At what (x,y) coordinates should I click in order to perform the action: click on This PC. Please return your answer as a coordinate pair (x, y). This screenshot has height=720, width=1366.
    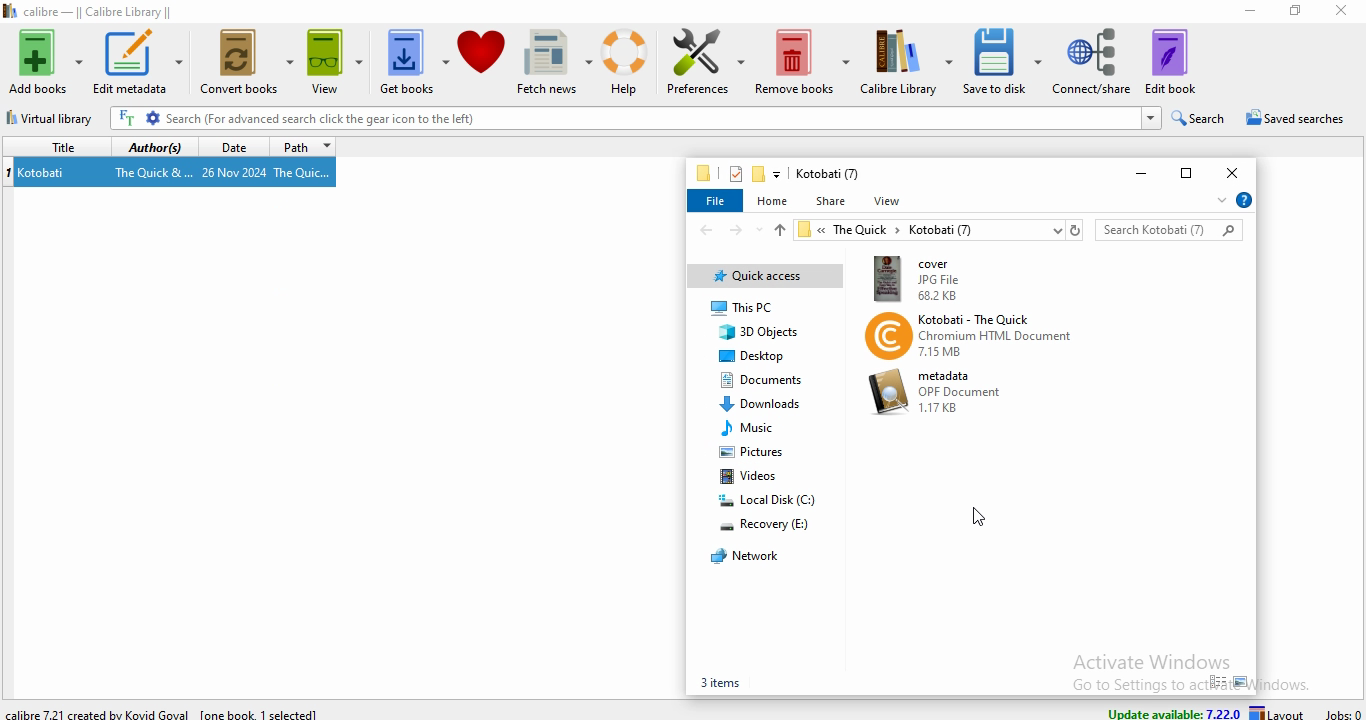
    Looking at the image, I should click on (768, 308).